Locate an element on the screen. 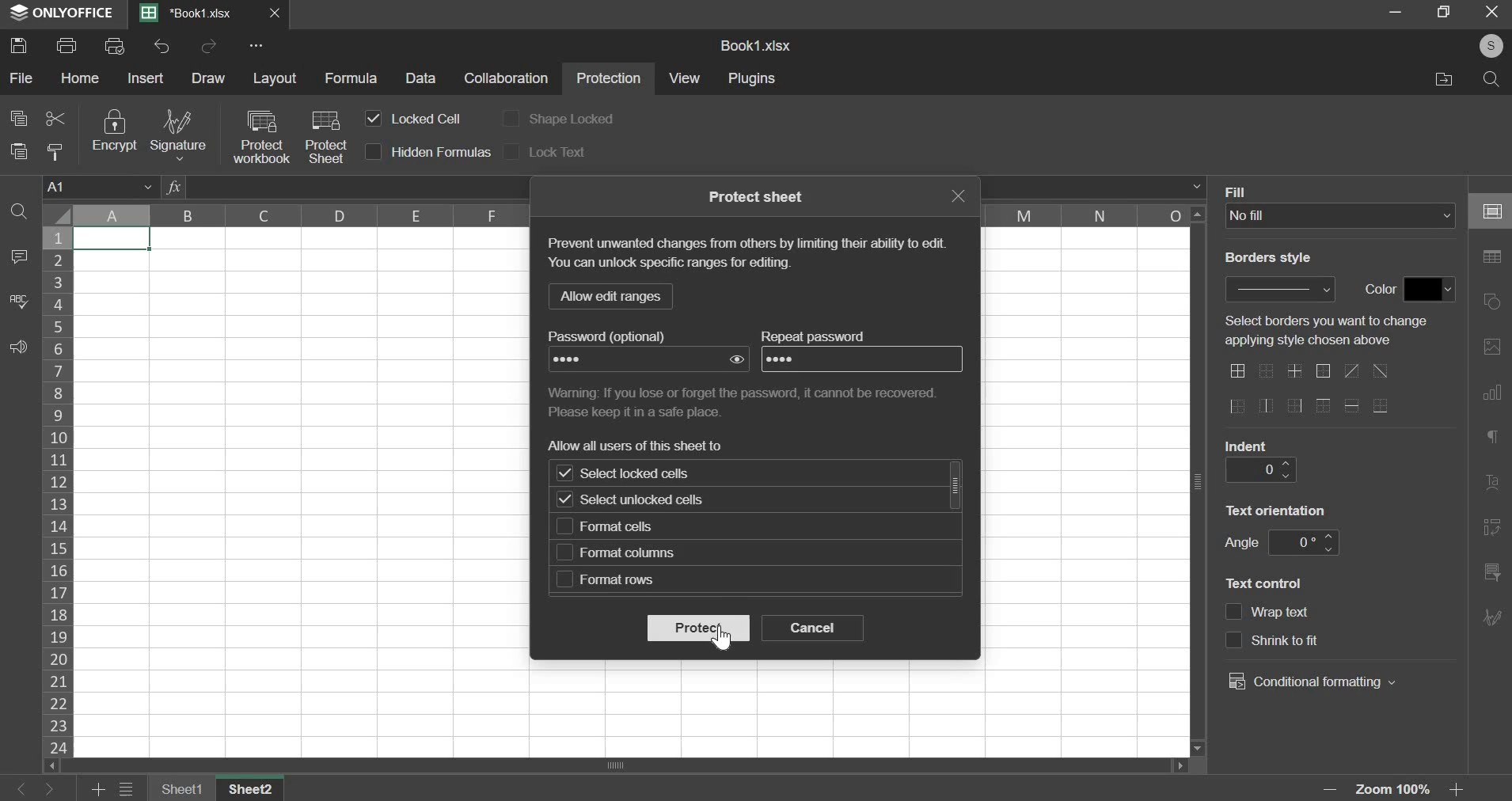 The width and height of the screenshot is (1512, 801). conditional formatting is located at coordinates (1311, 681).